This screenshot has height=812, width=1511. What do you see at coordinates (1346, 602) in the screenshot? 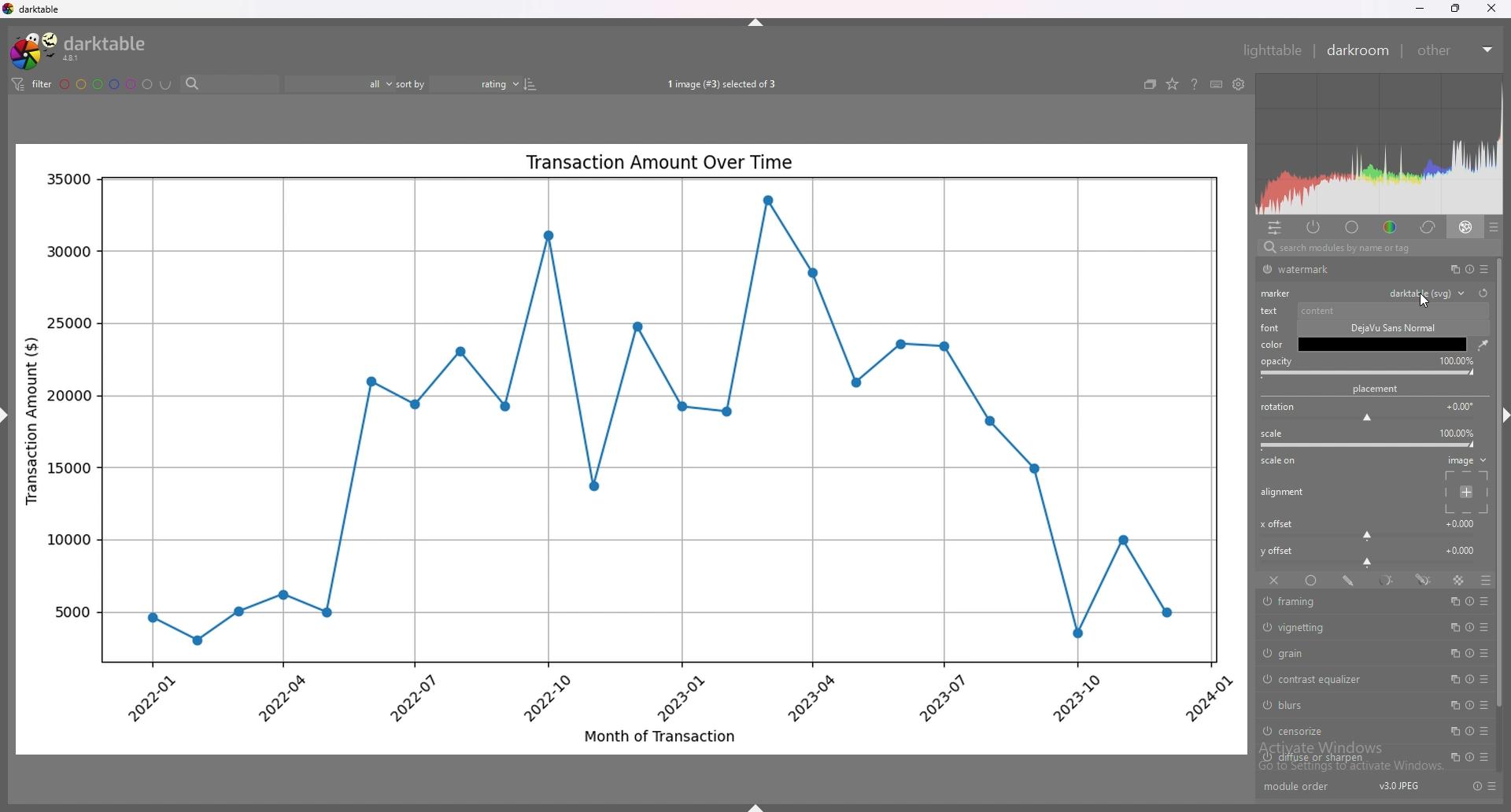
I see `framing` at bounding box center [1346, 602].